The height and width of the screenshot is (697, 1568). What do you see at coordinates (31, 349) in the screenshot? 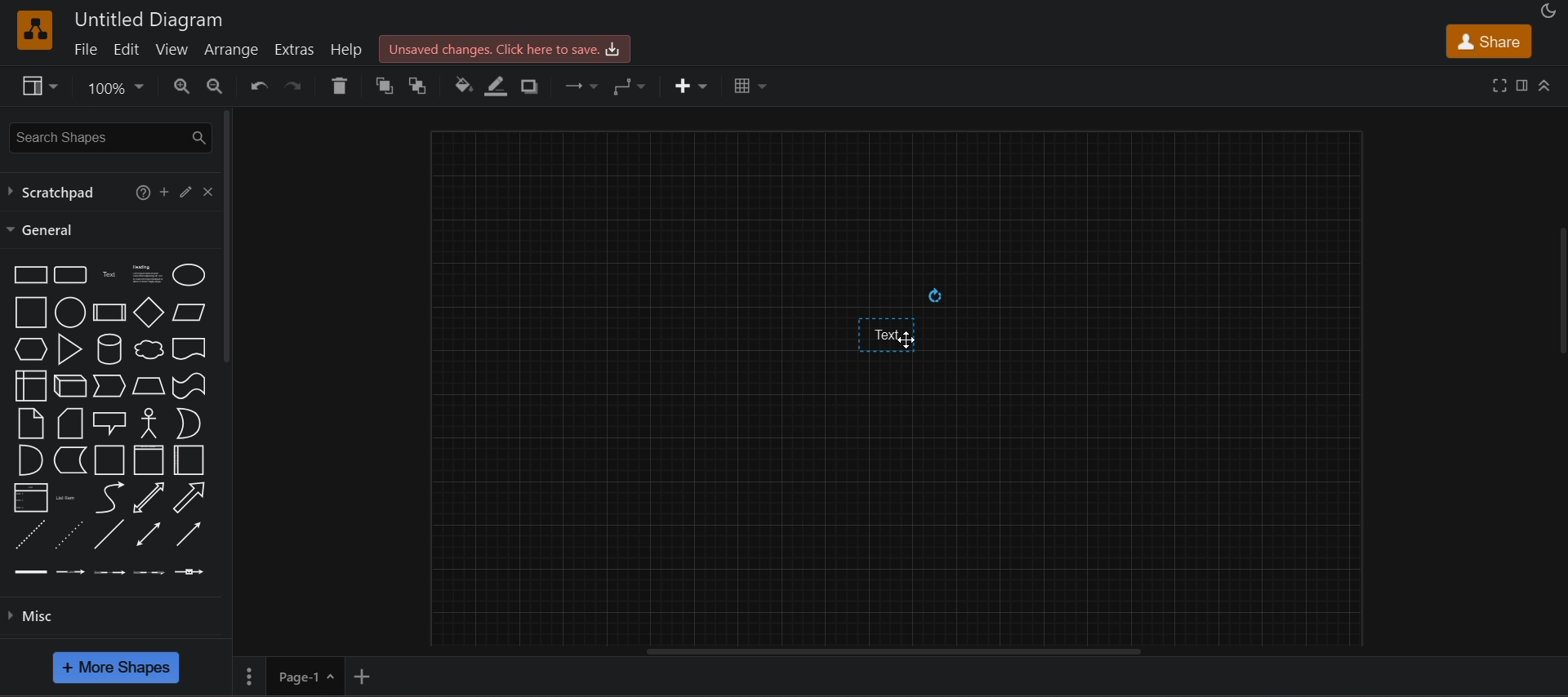
I see `Hexagon` at bounding box center [31, 349].